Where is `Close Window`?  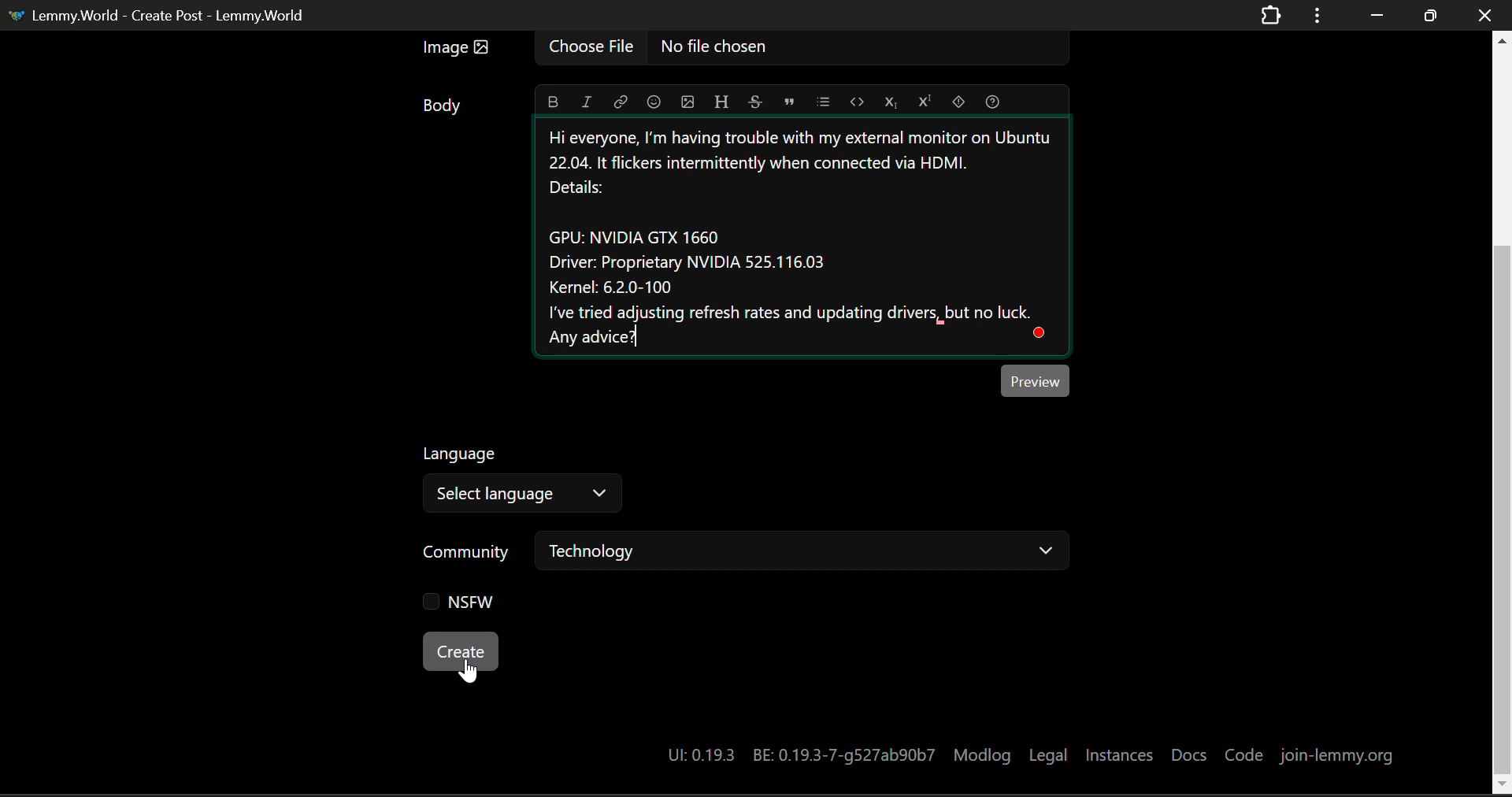
Close Window is located at coordinates (1487, 14).